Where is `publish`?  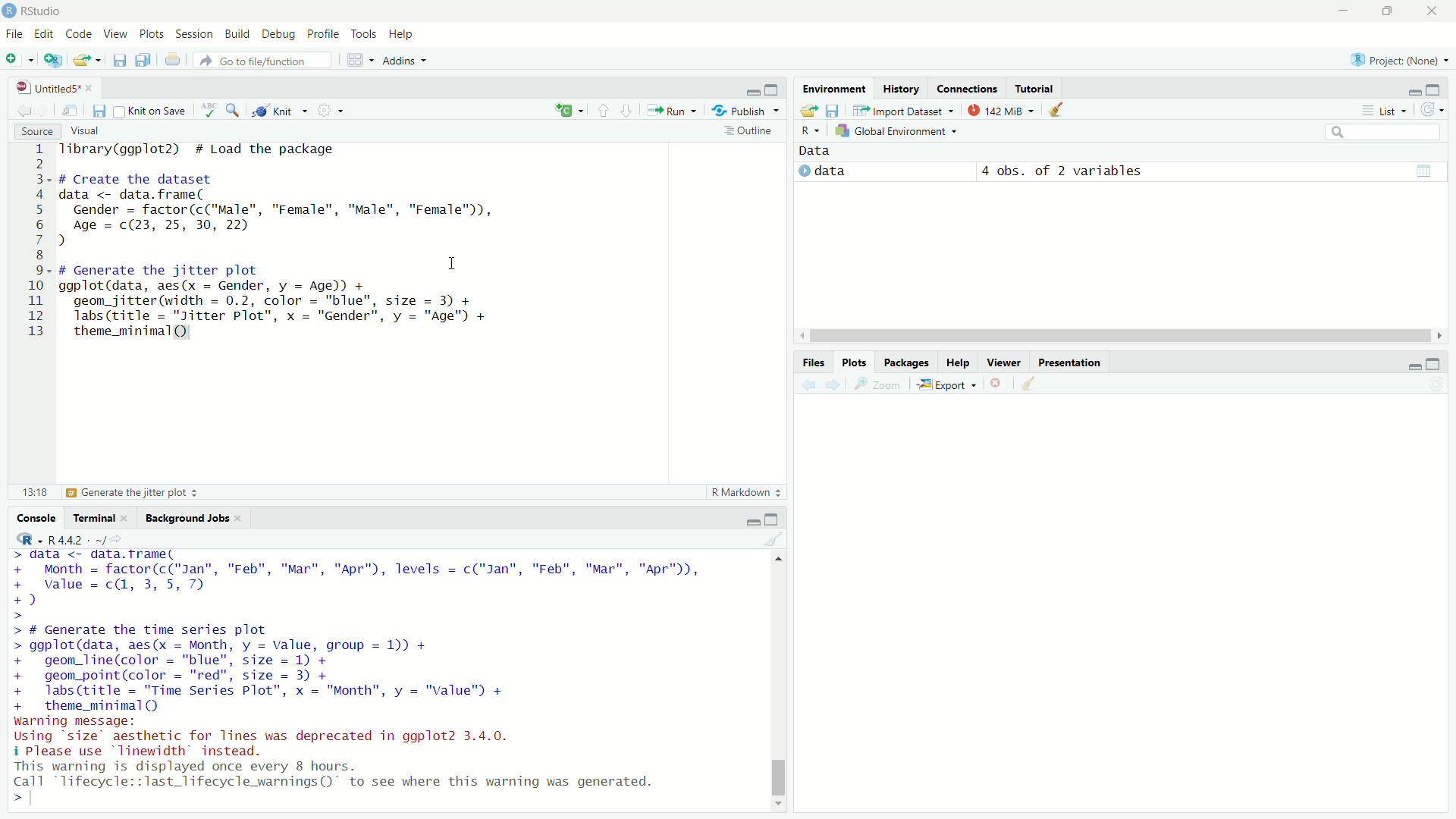
publish is located at coordinates (748, 110).